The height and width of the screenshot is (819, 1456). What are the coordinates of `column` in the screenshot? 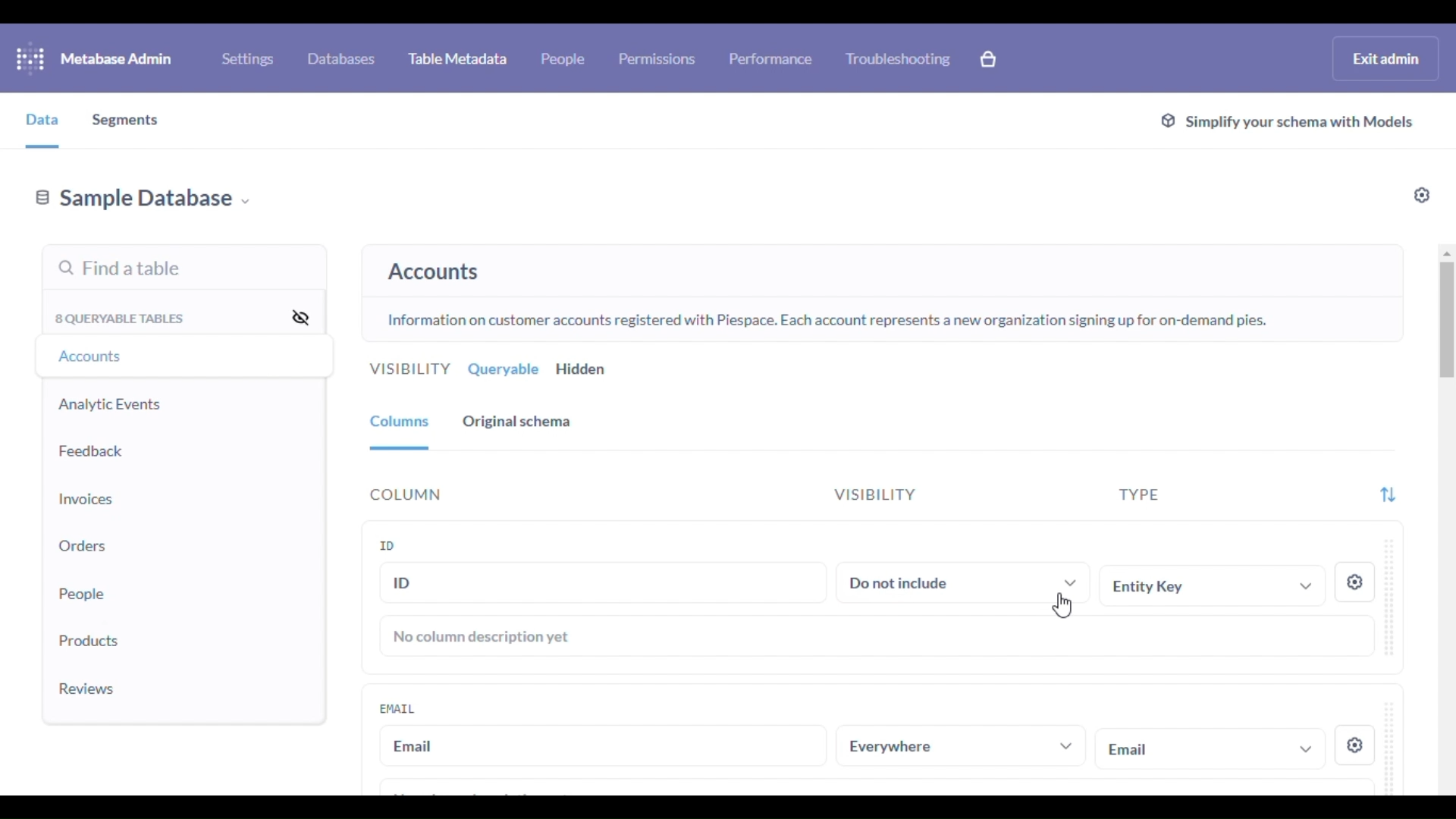 It's located at (406, 495).